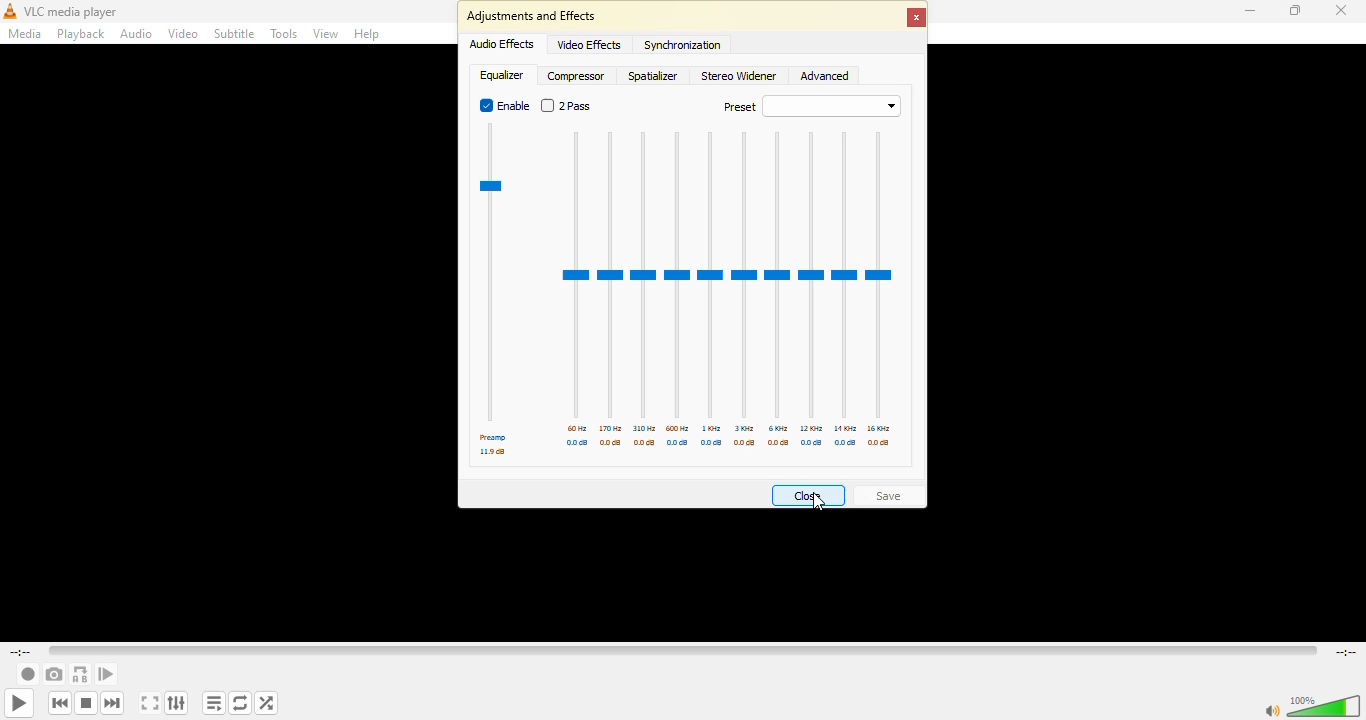 The height and width of the screenshot is (720, 1366). Describe the element at coordinates (53, 674) in the screenshot. I see `take a snapshot` at that location.